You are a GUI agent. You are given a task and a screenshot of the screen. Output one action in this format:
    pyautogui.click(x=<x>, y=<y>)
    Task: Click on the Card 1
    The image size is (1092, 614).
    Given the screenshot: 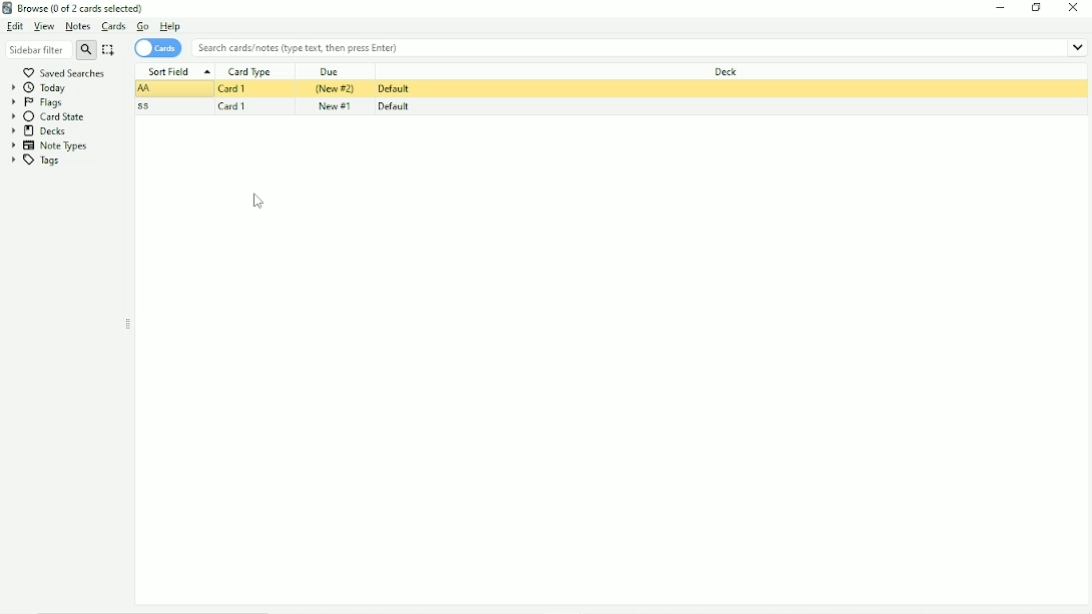 What is the action you would take?
    pyautogui.click(x=230, y=109)
    